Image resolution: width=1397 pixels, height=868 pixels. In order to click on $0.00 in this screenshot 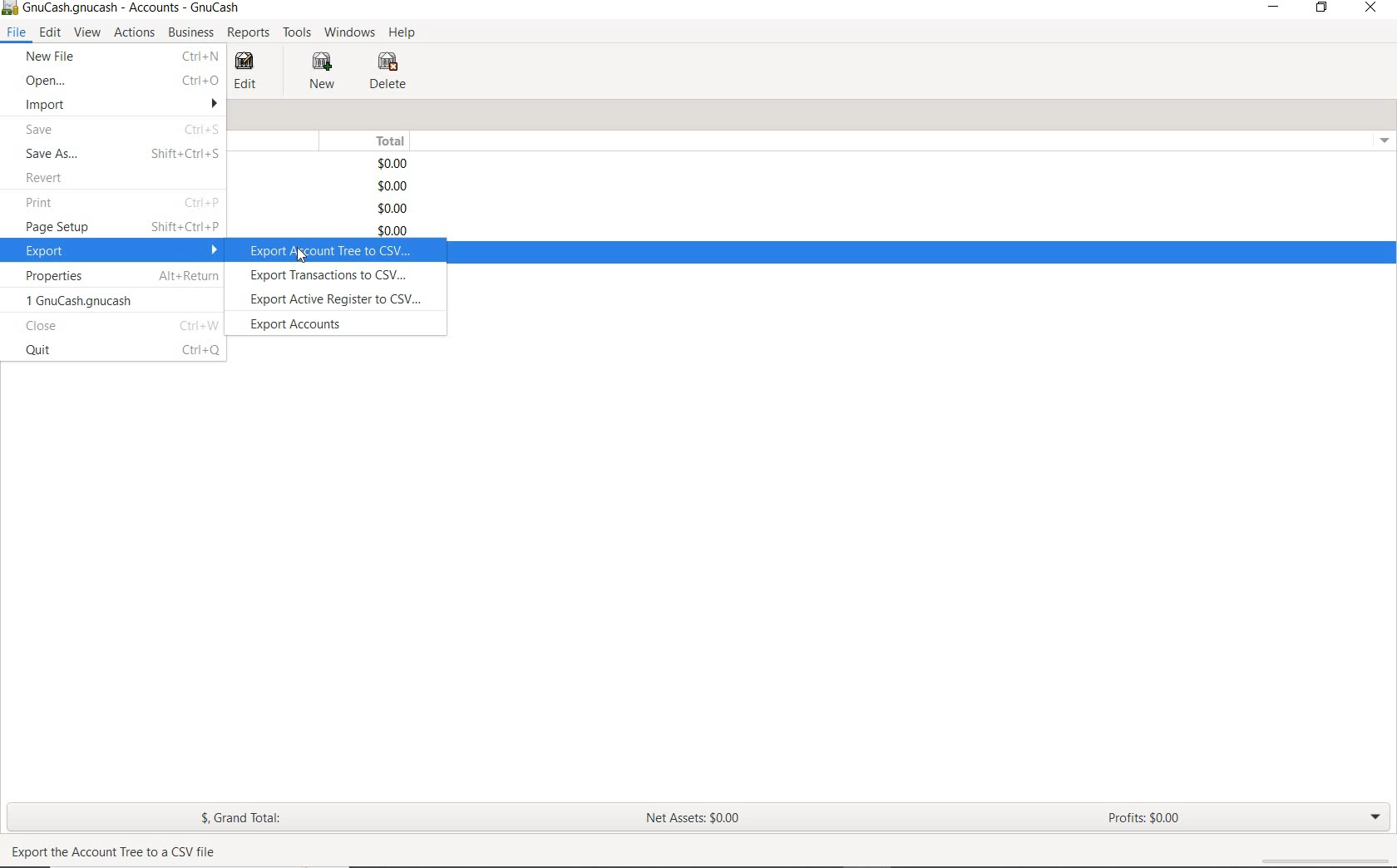, I will do `click(394, 186)`.